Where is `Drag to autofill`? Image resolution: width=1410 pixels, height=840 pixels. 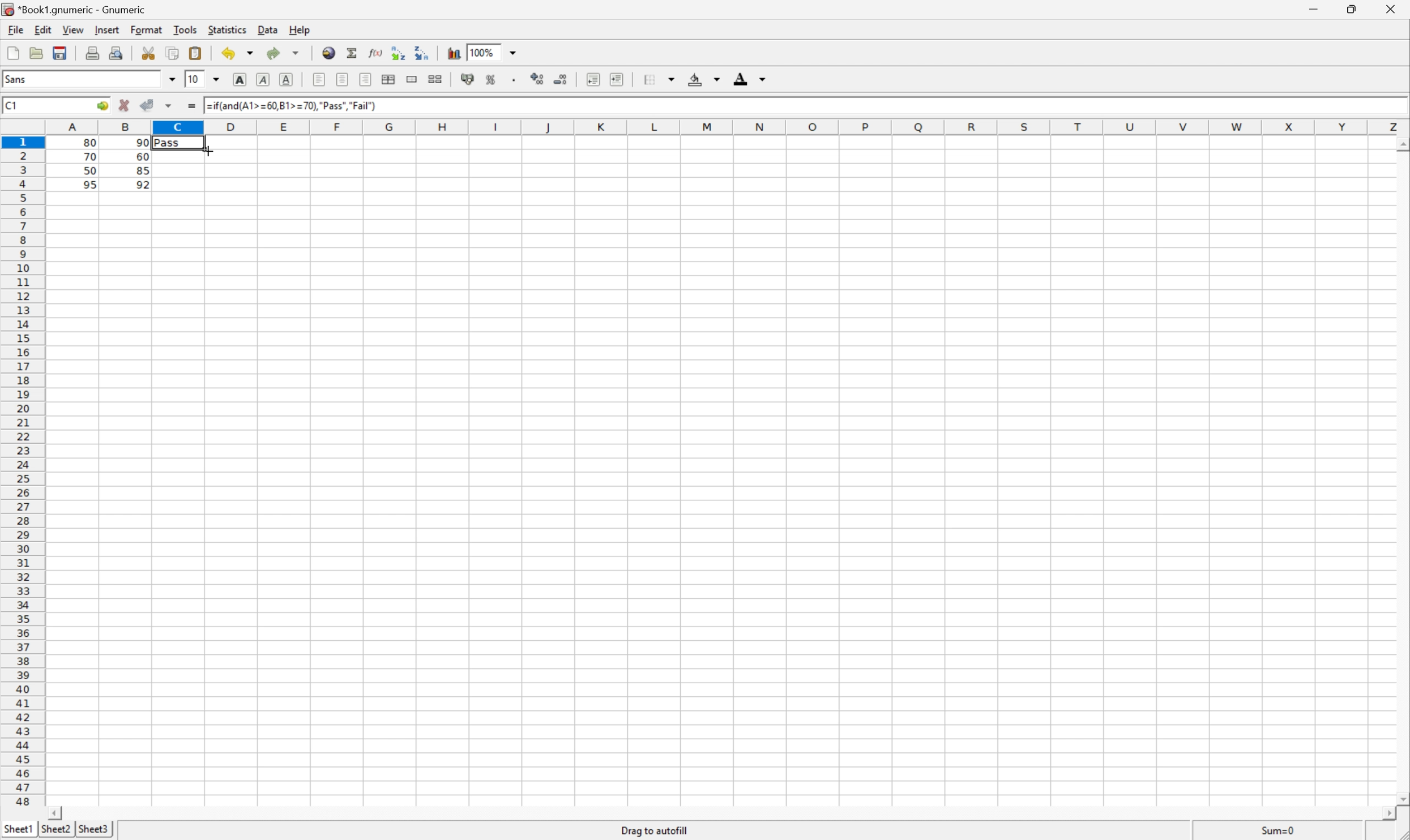 Drag to autofill is located at coordinates (655, 828).